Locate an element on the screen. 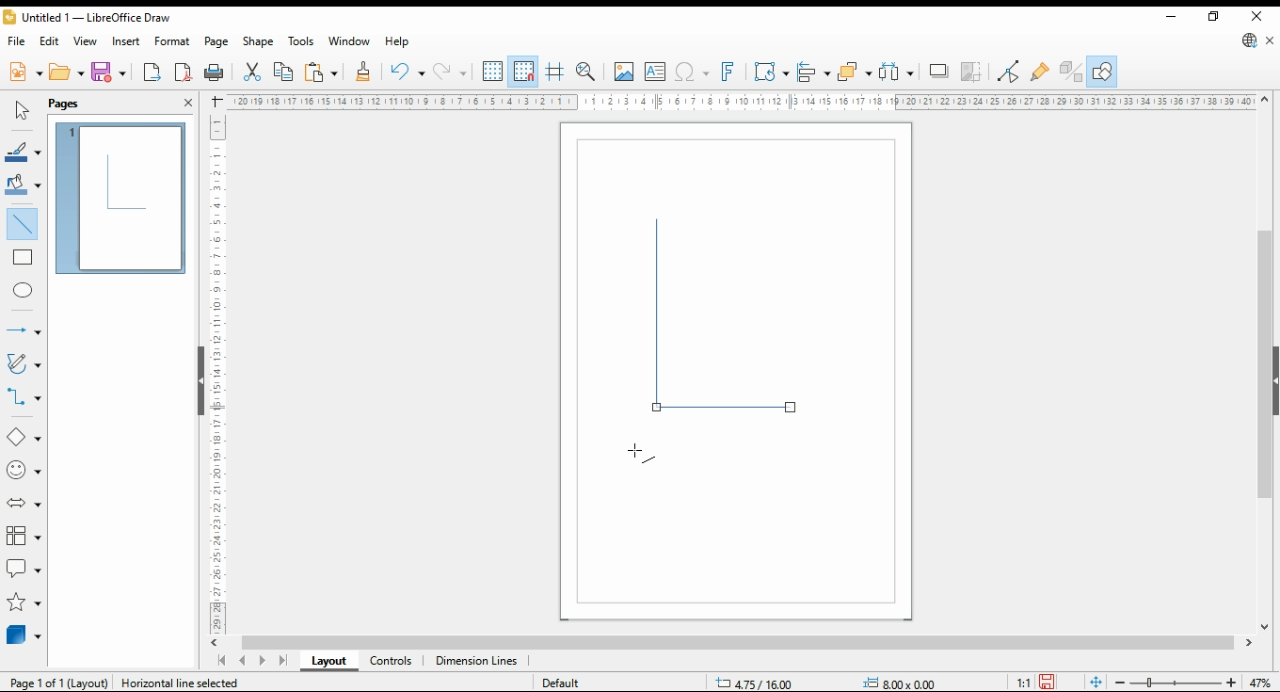 Image resolution: width=1280 pixels, height=692 pixels. move left is located at coordinates (217, 643).